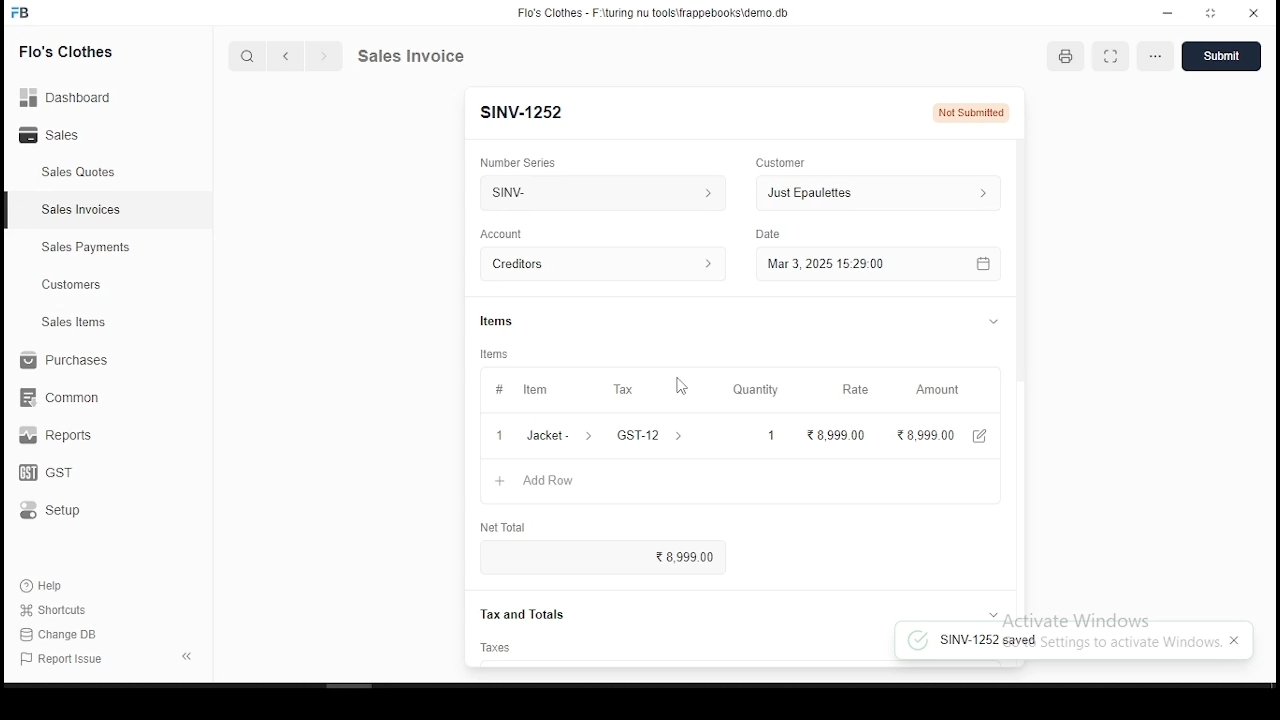 The width and height of the screenshot is (1280, 720). Describe the element at coordinates (540, 109) in the screenshot. I see `SQUOT-1001` at that location.